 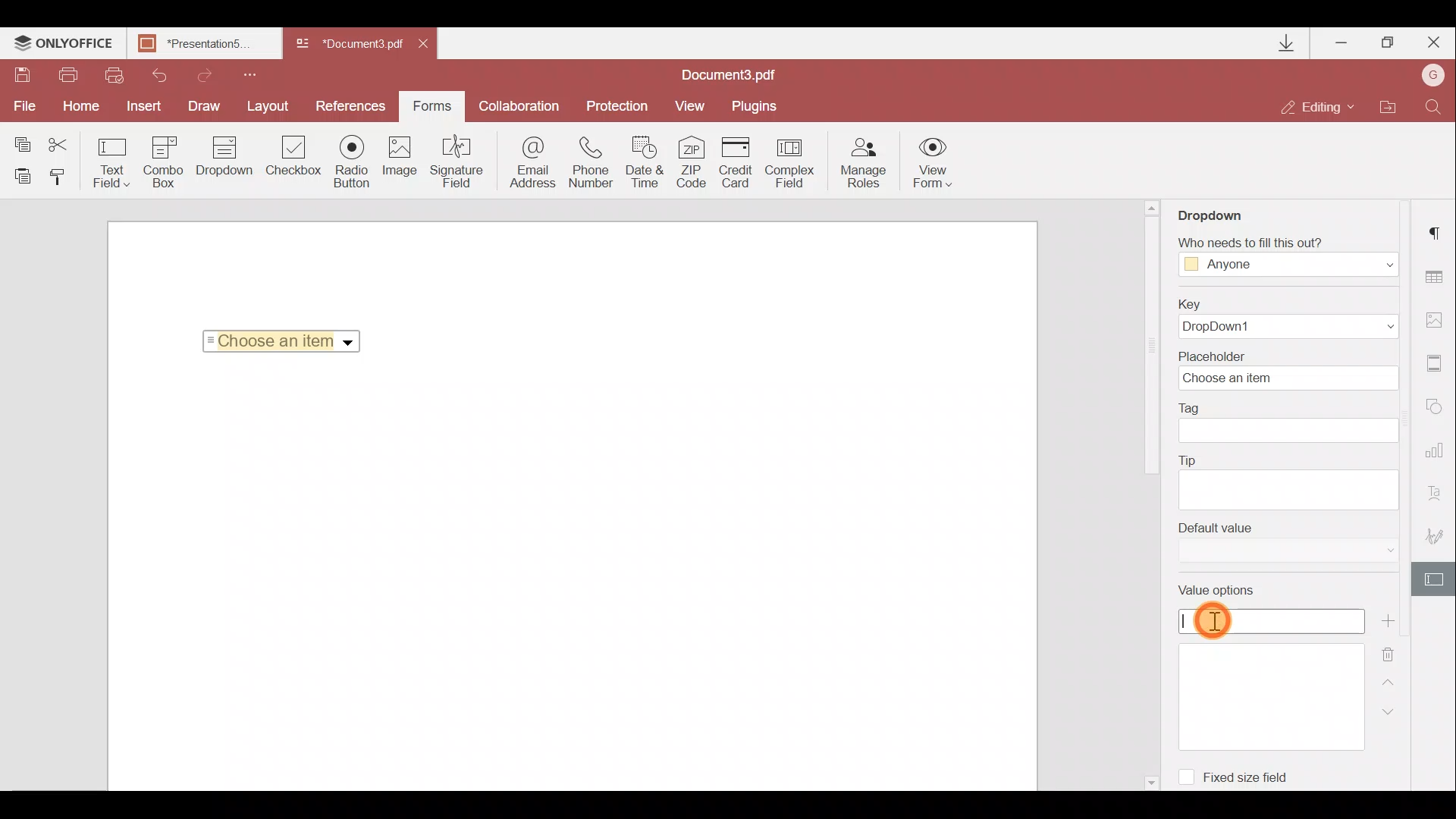 What do you see at coordinates (1293, 369) in the screenshot?
I see `Placeholder` at bounding box center [1293, 369].